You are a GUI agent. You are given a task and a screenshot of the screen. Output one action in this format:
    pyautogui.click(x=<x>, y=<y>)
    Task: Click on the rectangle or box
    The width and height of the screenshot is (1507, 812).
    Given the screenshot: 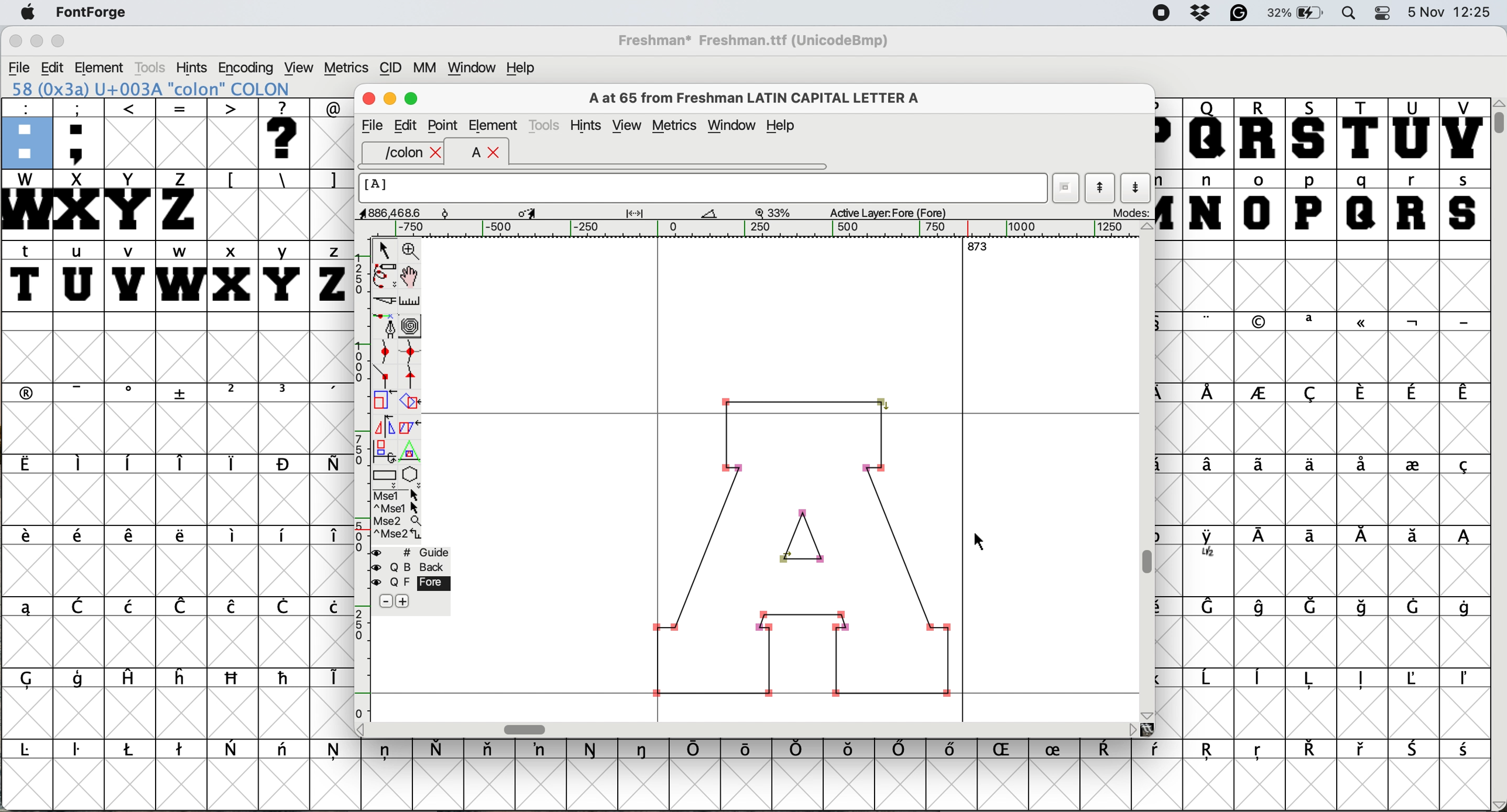 What is the action you would take?
    pyautogui.click(x=386, y=472)
    